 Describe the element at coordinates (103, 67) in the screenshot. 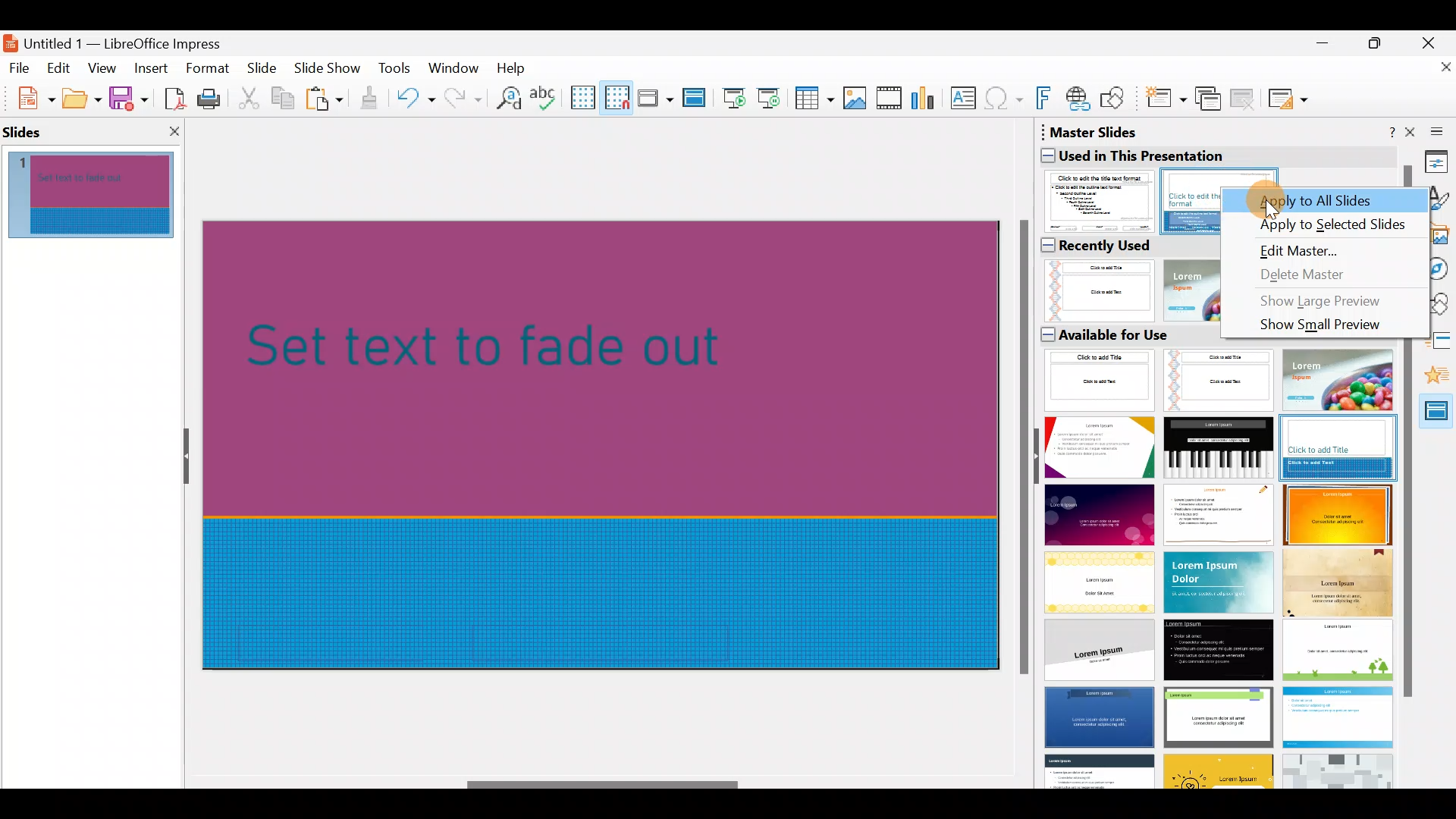

I see `View` at that location.